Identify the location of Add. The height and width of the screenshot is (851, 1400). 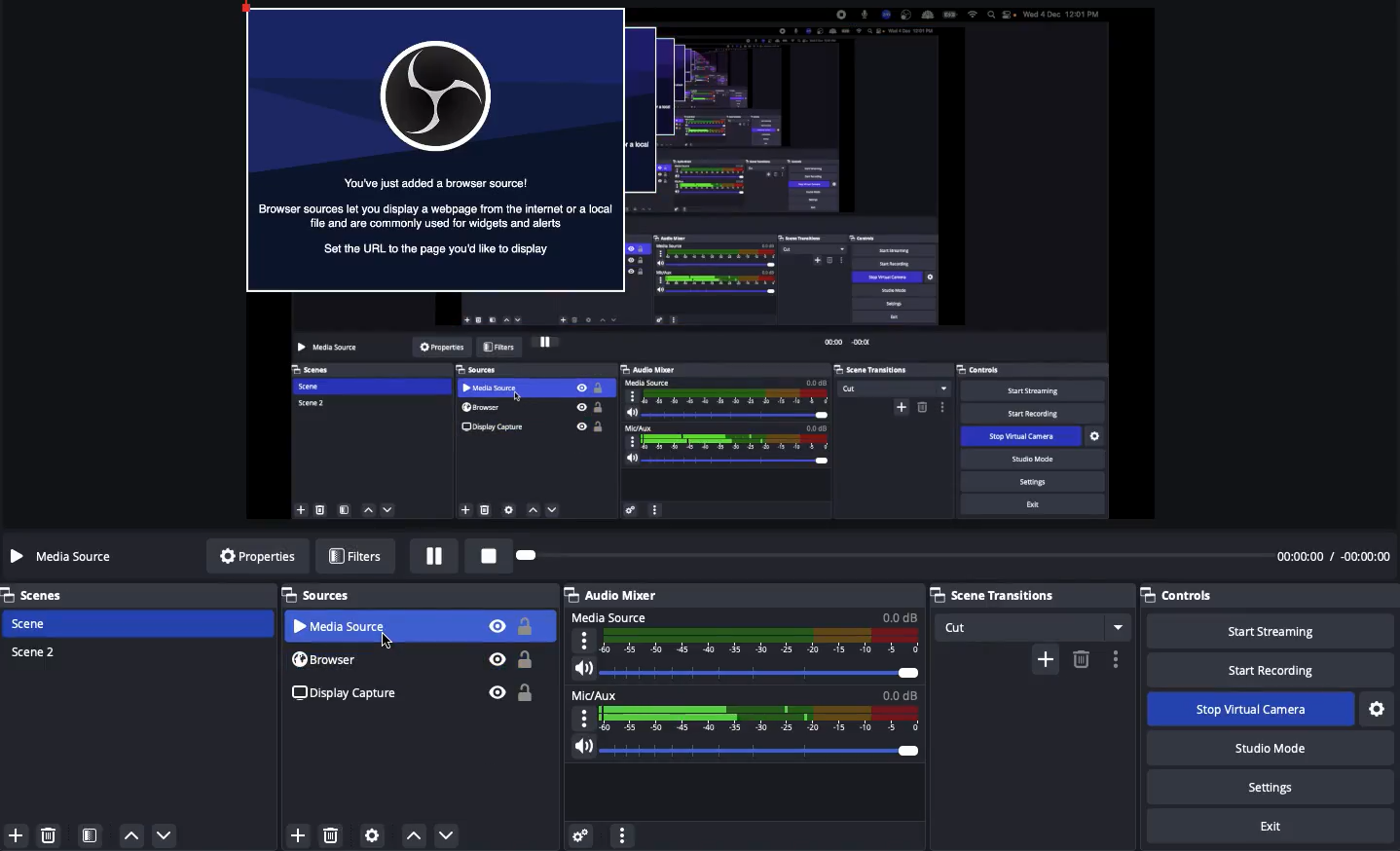
(16, 835).